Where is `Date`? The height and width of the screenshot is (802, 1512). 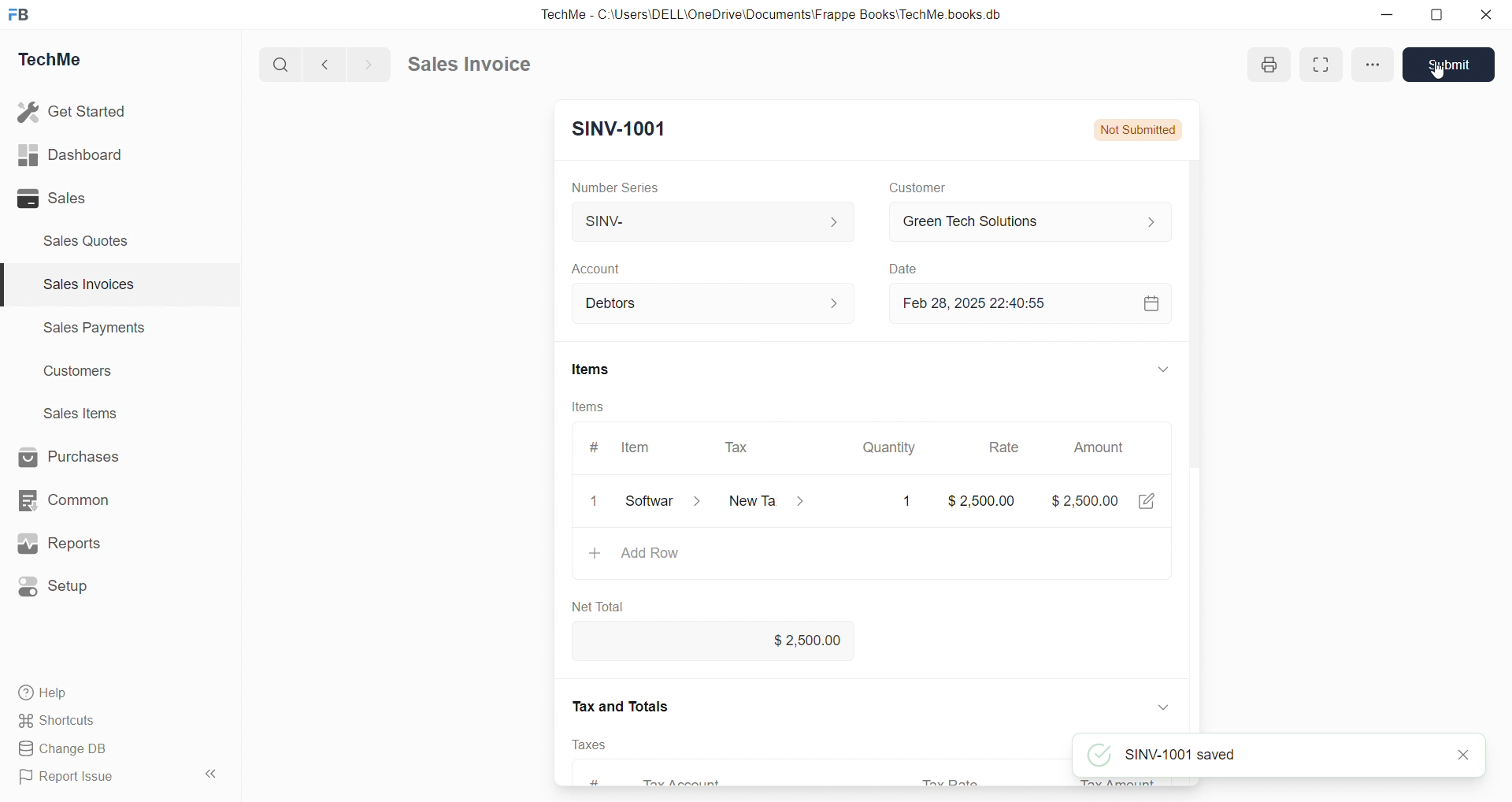
Date is located at coordinates (902, 268).